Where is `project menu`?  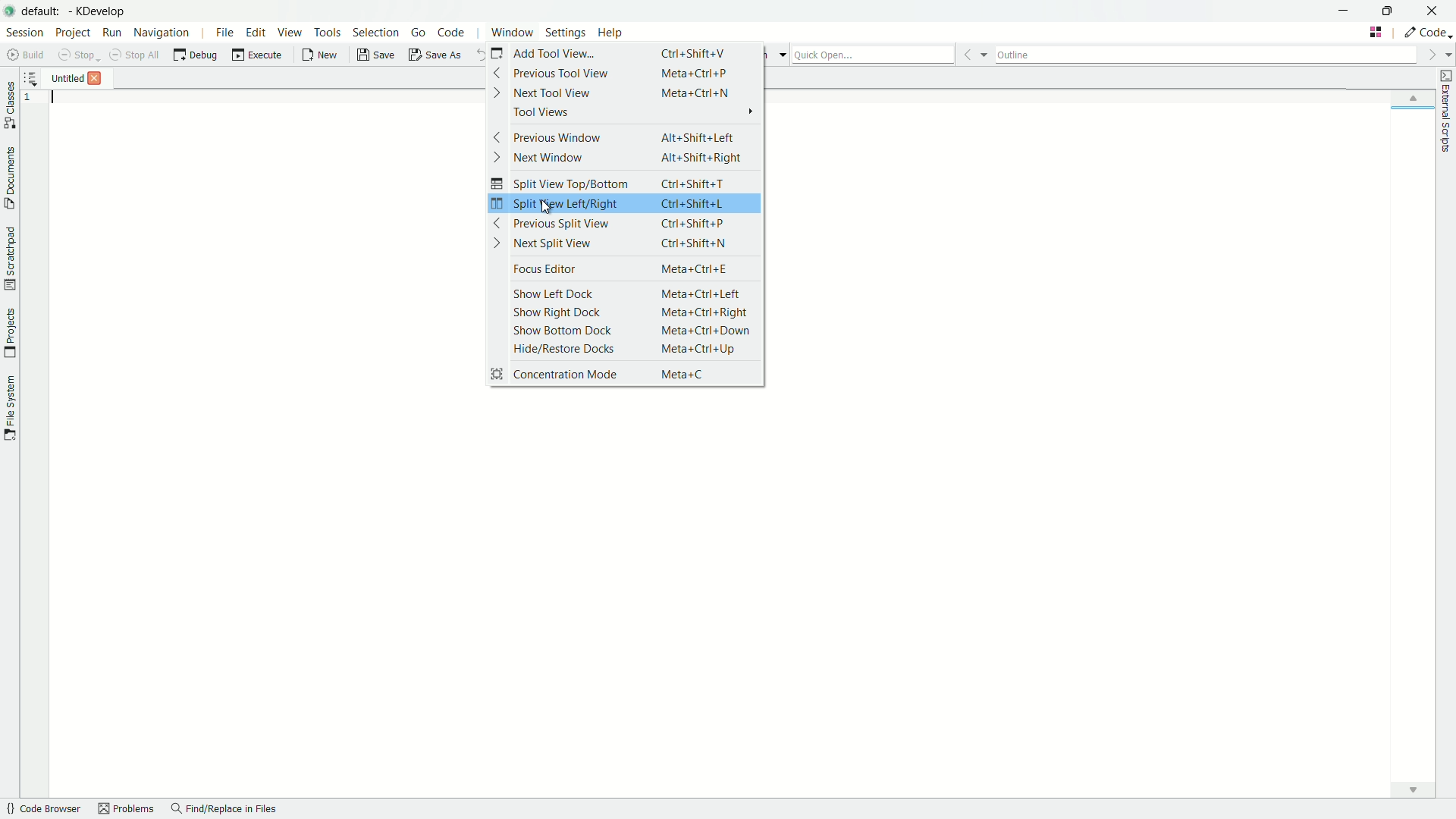
project menu is located at coordinates (74, 33).